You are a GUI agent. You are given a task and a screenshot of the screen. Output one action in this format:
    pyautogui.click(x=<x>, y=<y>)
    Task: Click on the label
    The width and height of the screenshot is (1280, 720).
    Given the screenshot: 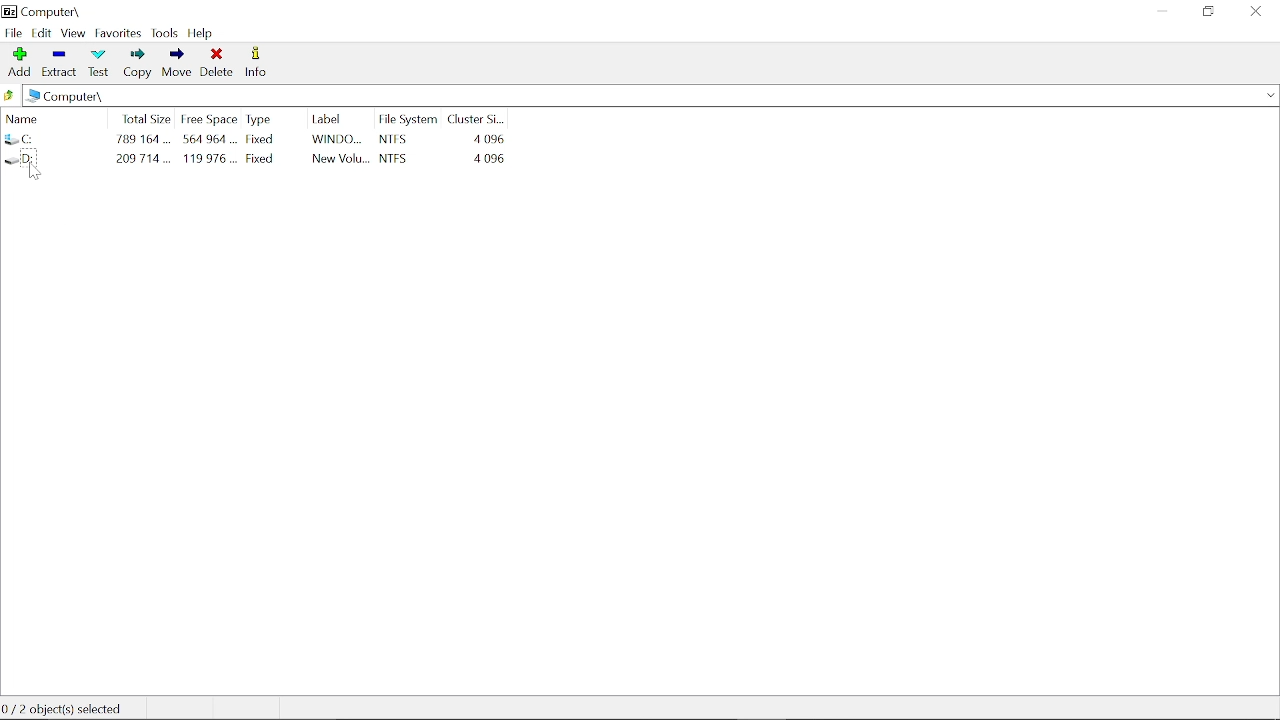 What is the action you would take?
    pyautogui.click(x=330, y=118)
    